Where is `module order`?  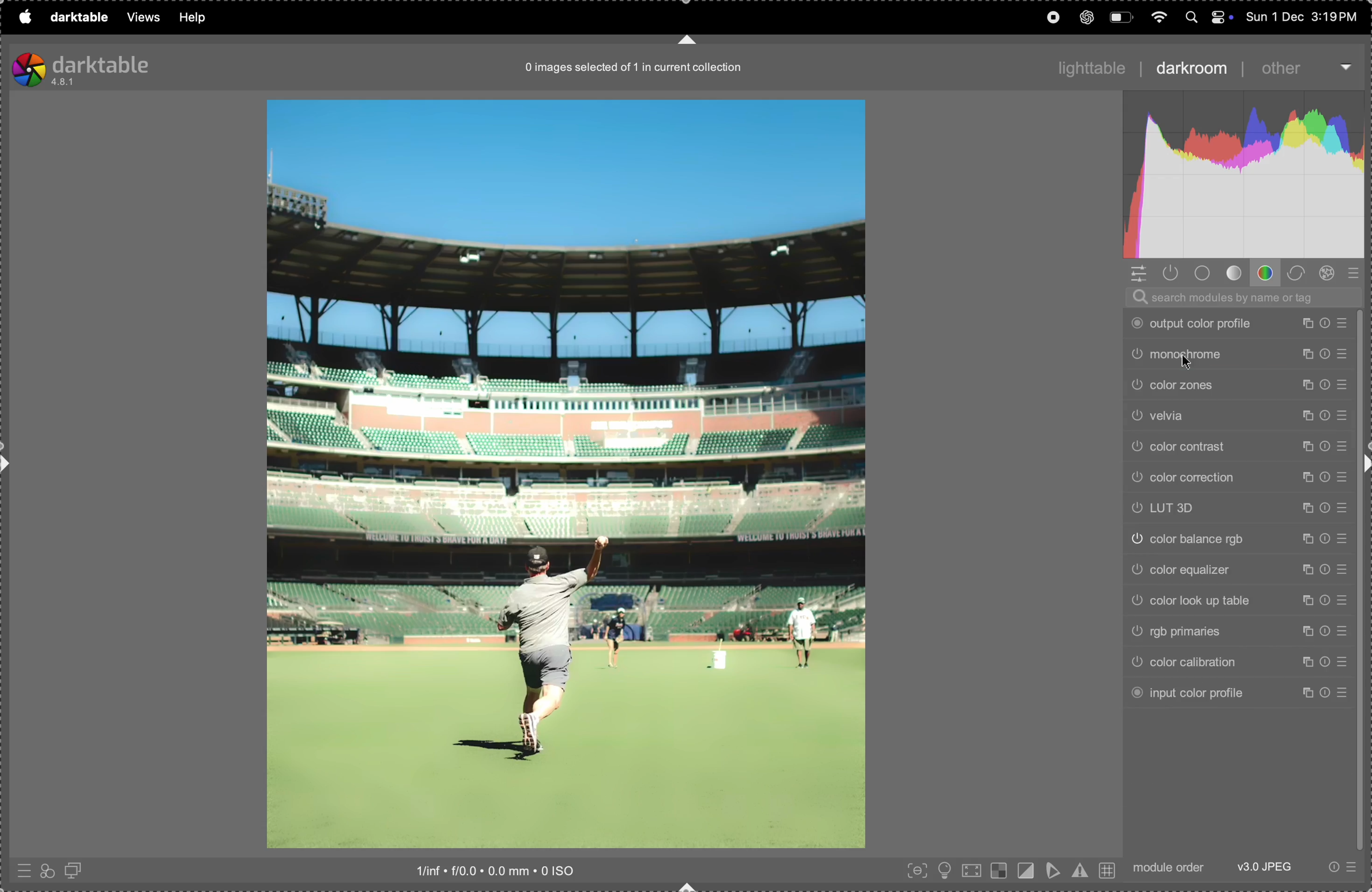 module order is located at coordinates (1168, 867).